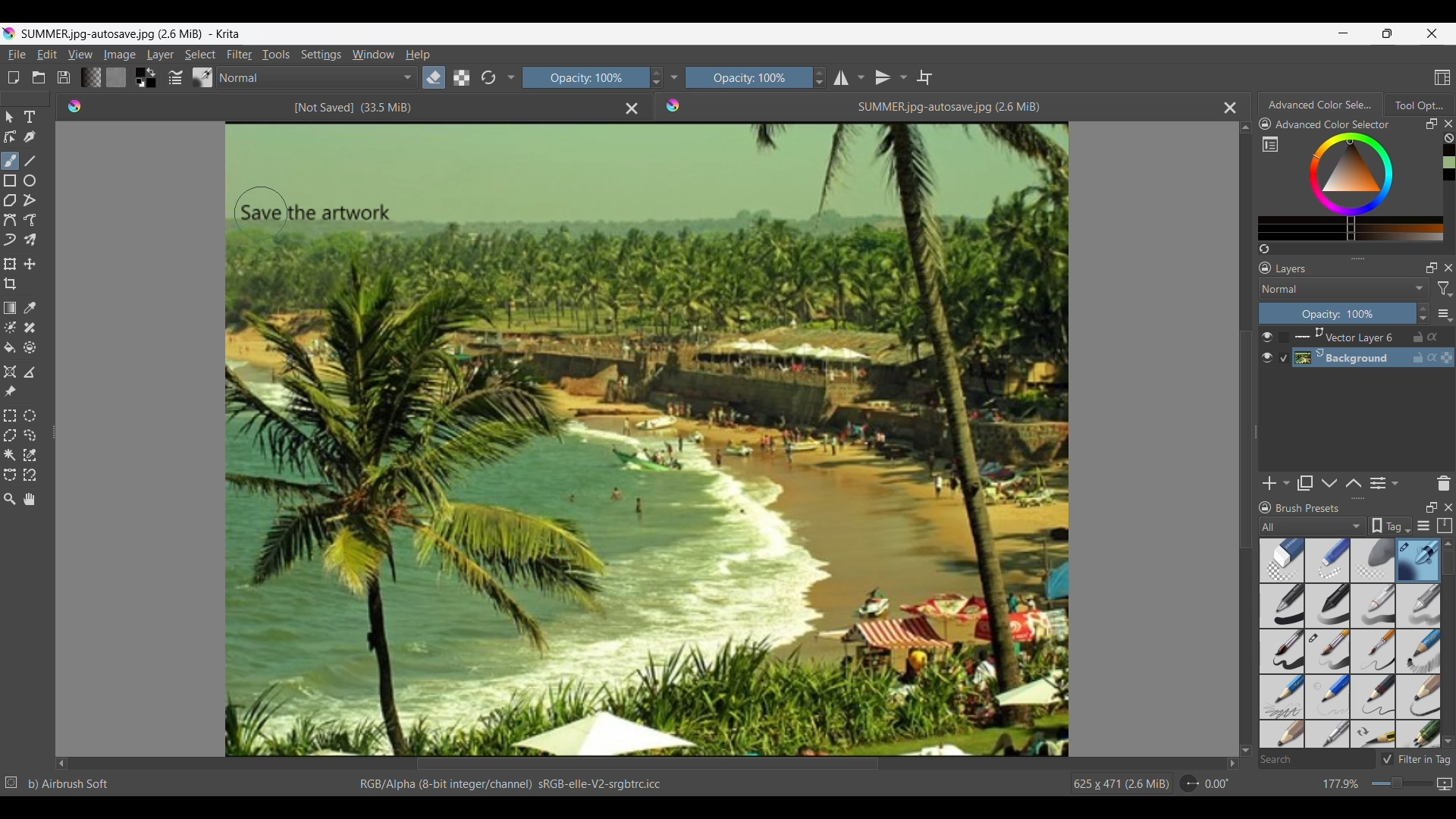 This screenshot has width=1456, height=819. What do you see at coordinates (200, 55) in the screenshot?
I see `Select` at bounding box center [200, 55].